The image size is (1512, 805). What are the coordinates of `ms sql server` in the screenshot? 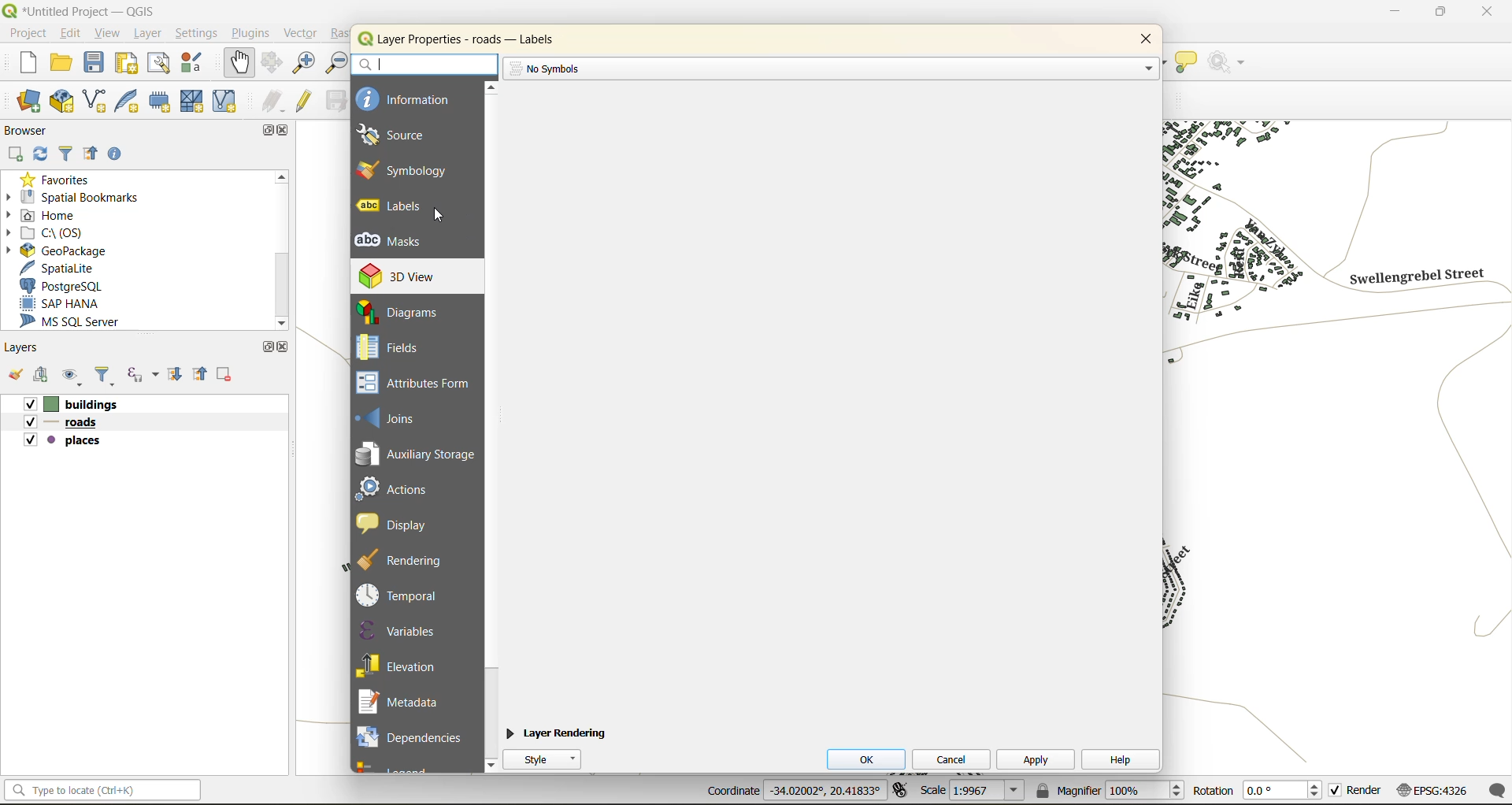 It's located at (73, 322).